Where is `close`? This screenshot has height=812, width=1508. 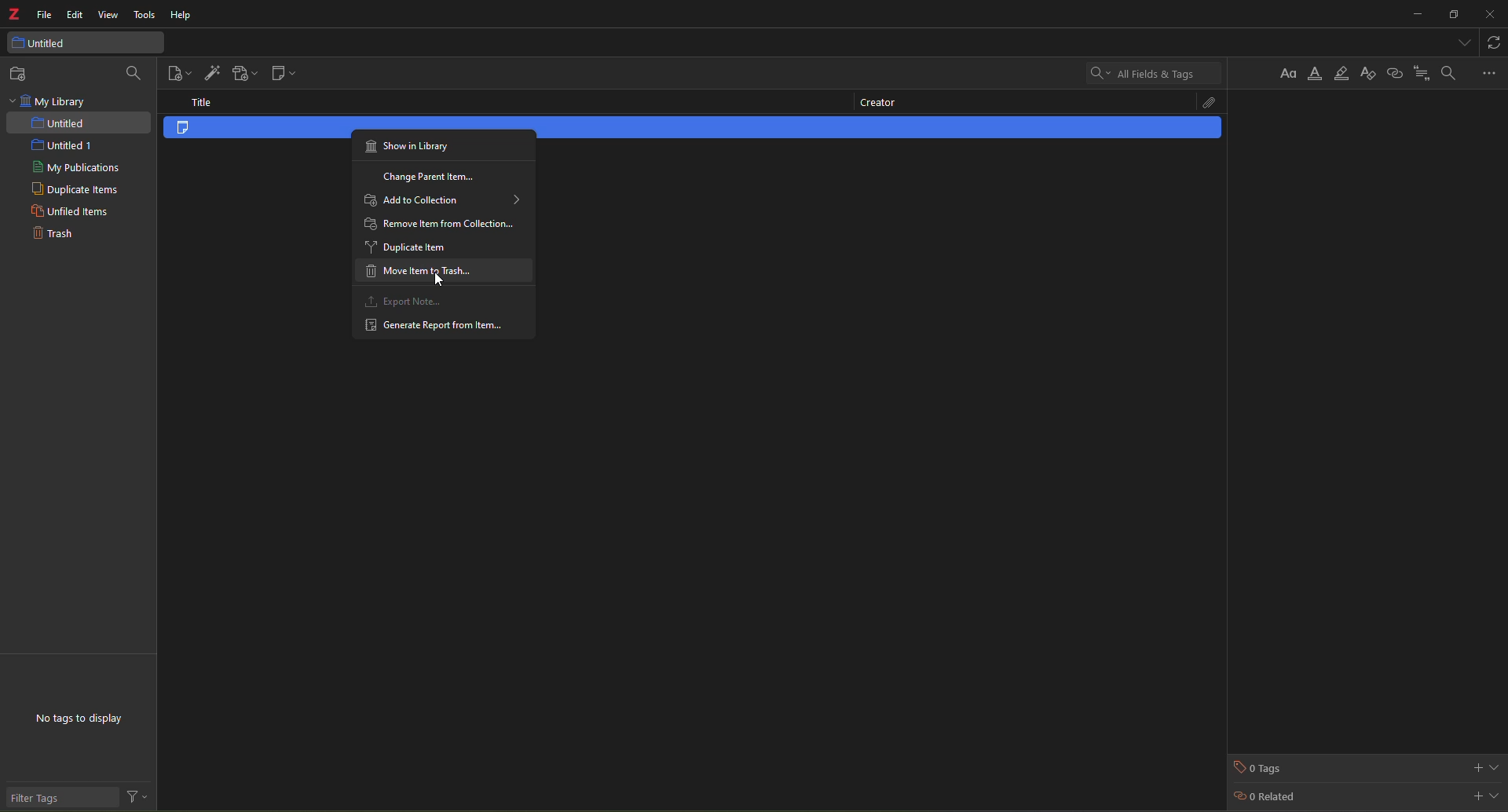 close is located at coordinates (1490, 14).